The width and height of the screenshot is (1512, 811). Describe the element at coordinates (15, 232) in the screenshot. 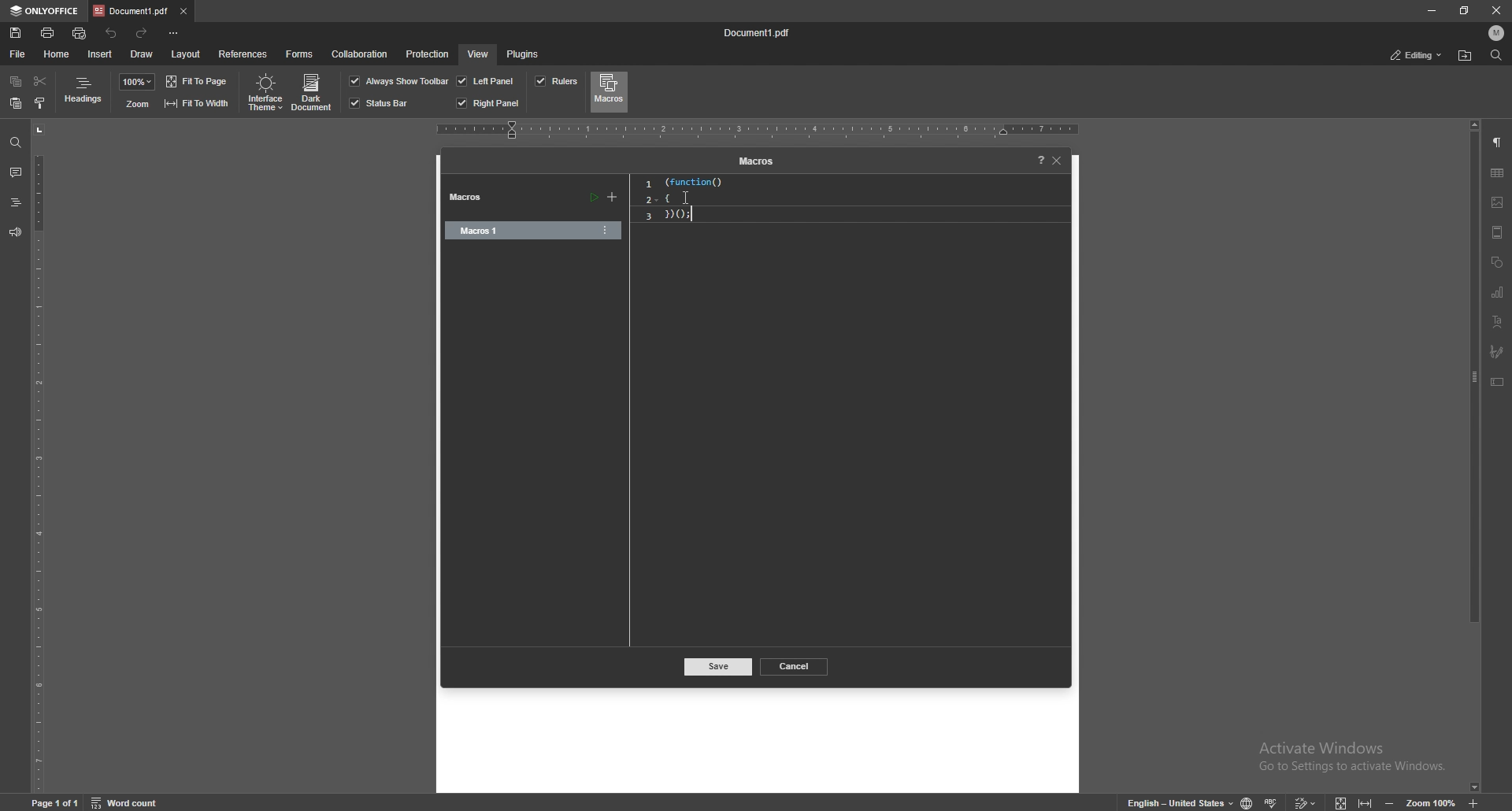

I see `feedback` at that location.